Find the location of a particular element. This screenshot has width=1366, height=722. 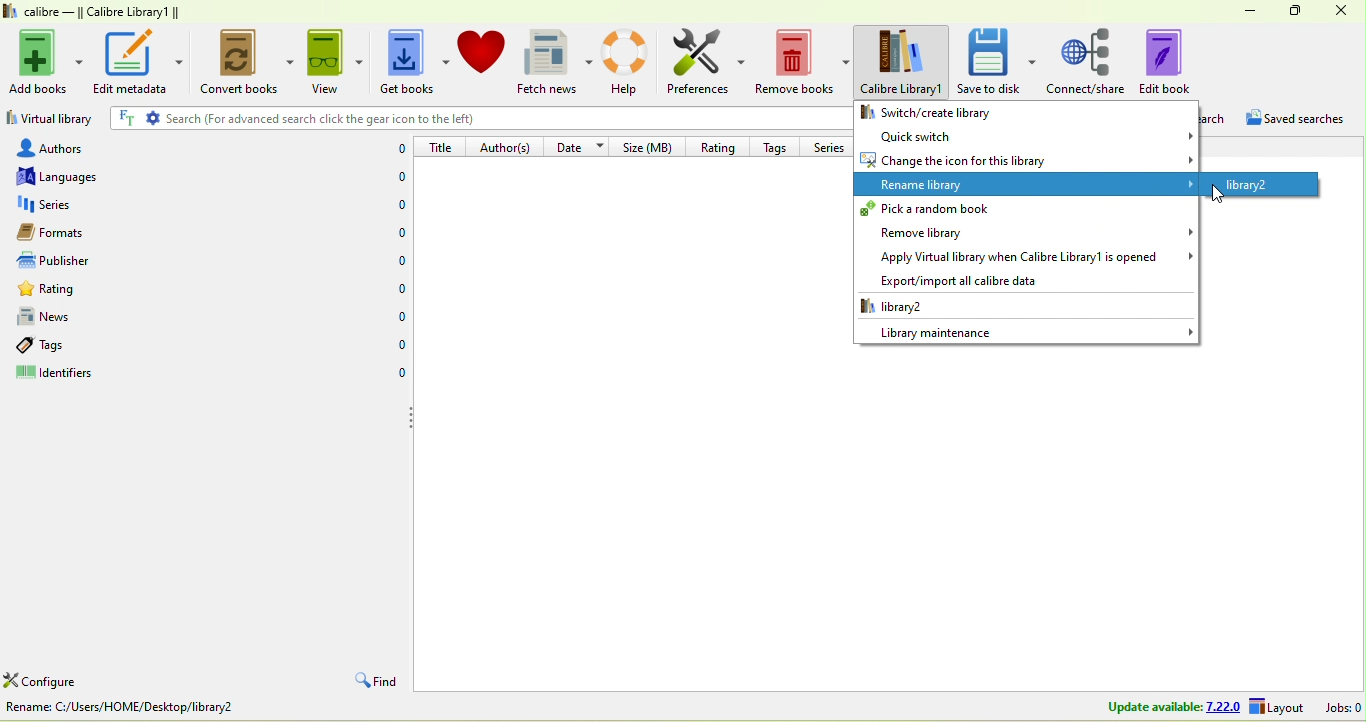

edit metadata is located at coordinates (138, 61).